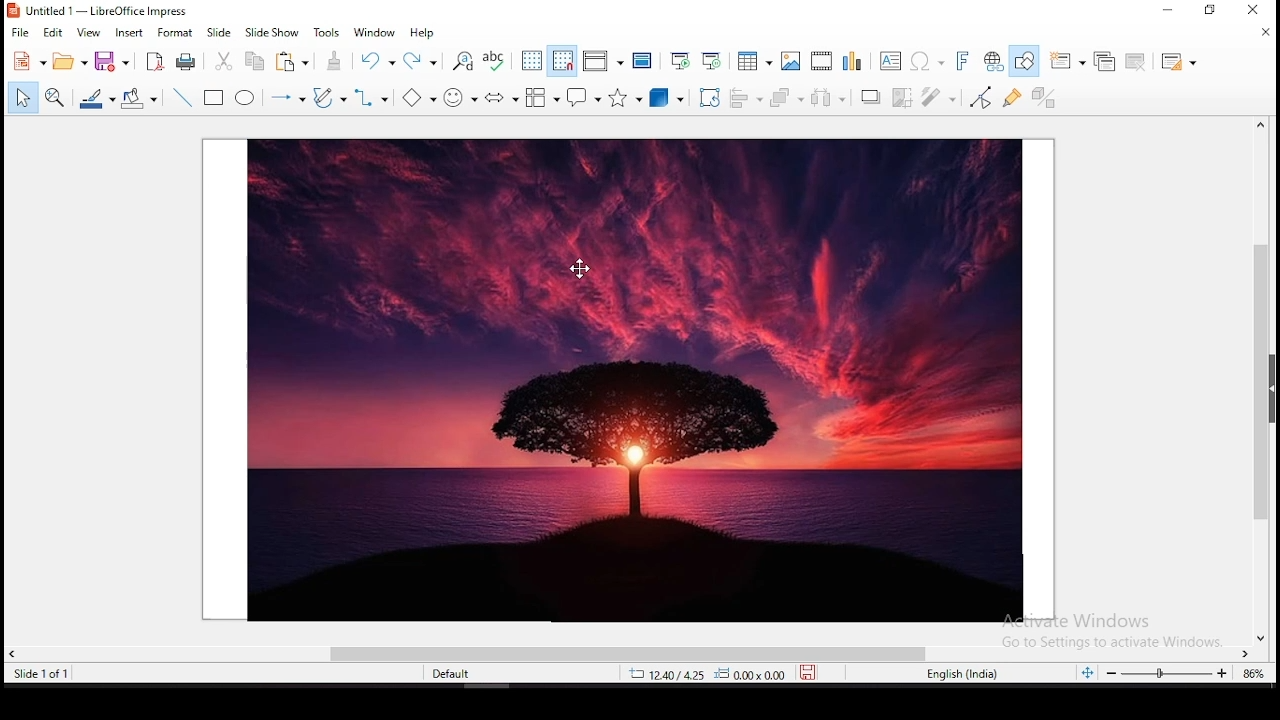 This screenshot has width=1280, height=720. I want to click on text box, so click(890, 61).